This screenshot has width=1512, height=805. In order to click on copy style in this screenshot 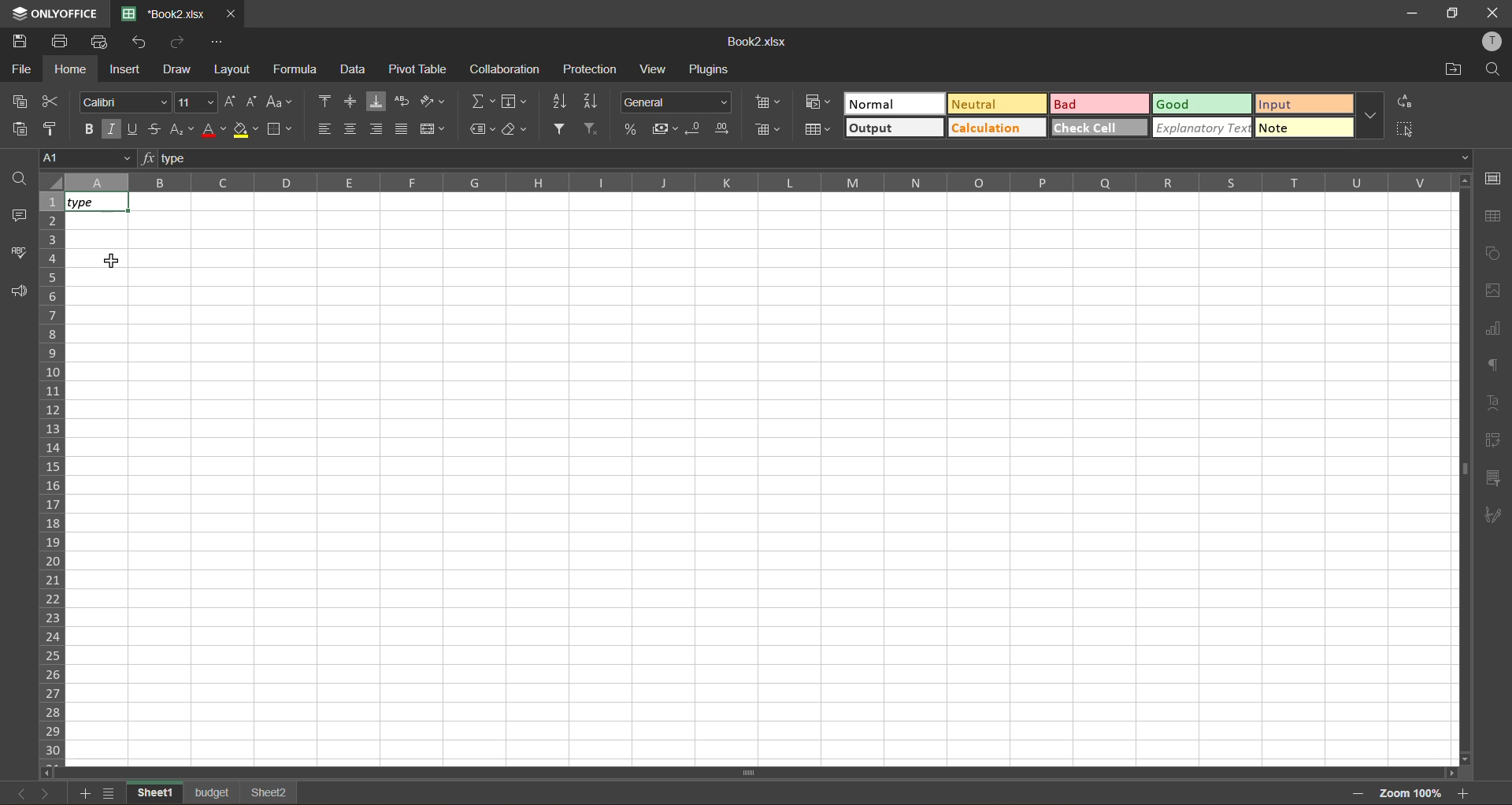, I will do `click(53, 126)`.